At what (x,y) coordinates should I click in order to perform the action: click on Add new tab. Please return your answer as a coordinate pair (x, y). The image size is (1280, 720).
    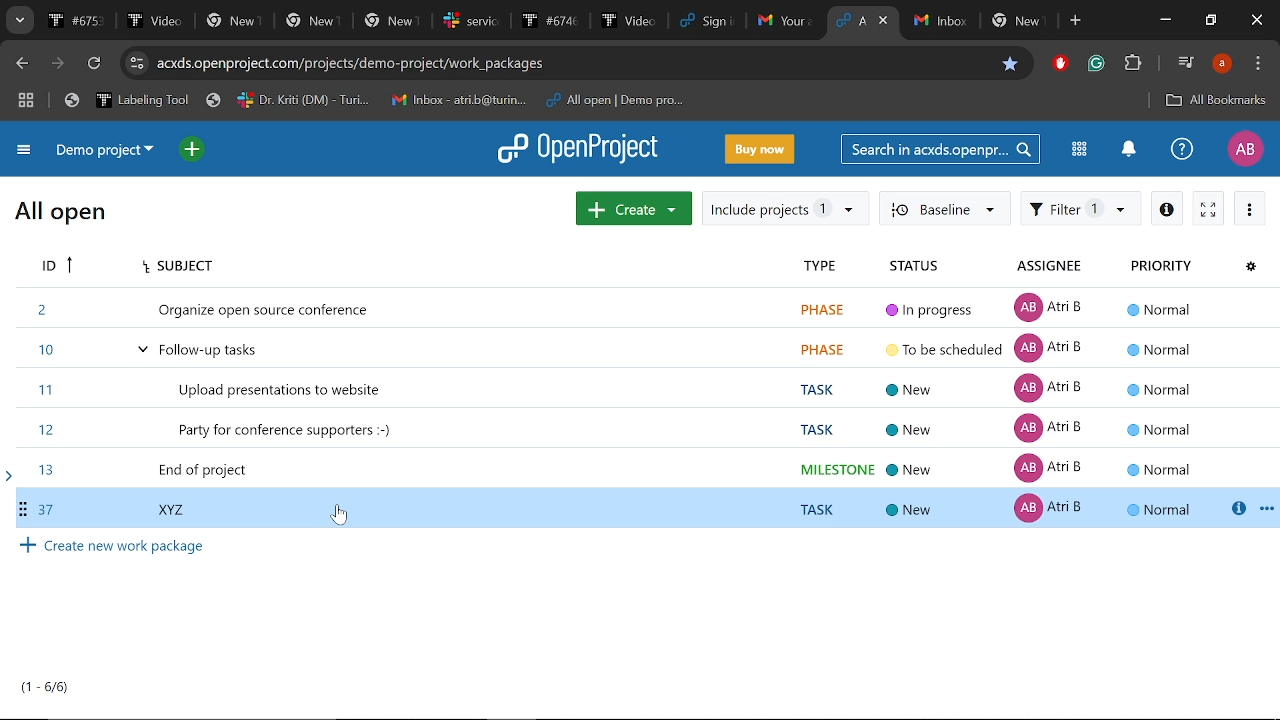
    Looking at the image, I should click on (1077, 21).